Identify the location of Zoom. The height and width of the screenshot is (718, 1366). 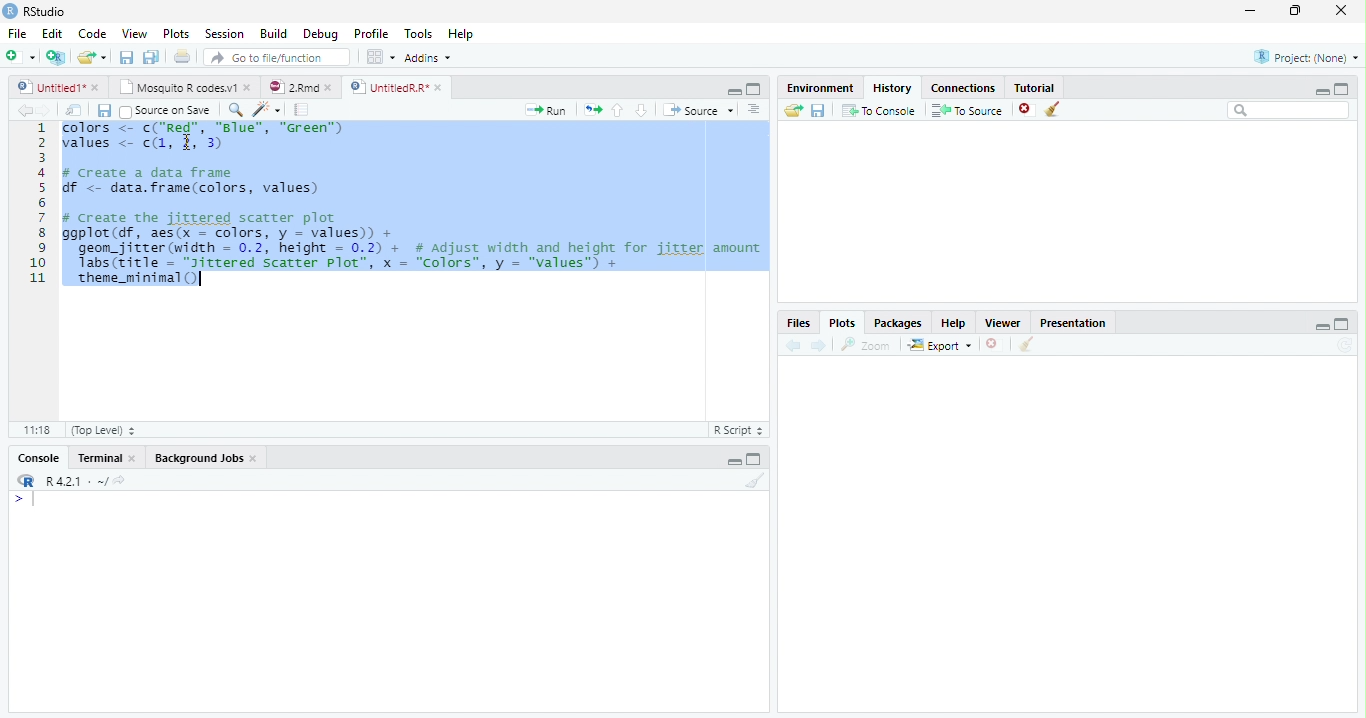
(866, 345).